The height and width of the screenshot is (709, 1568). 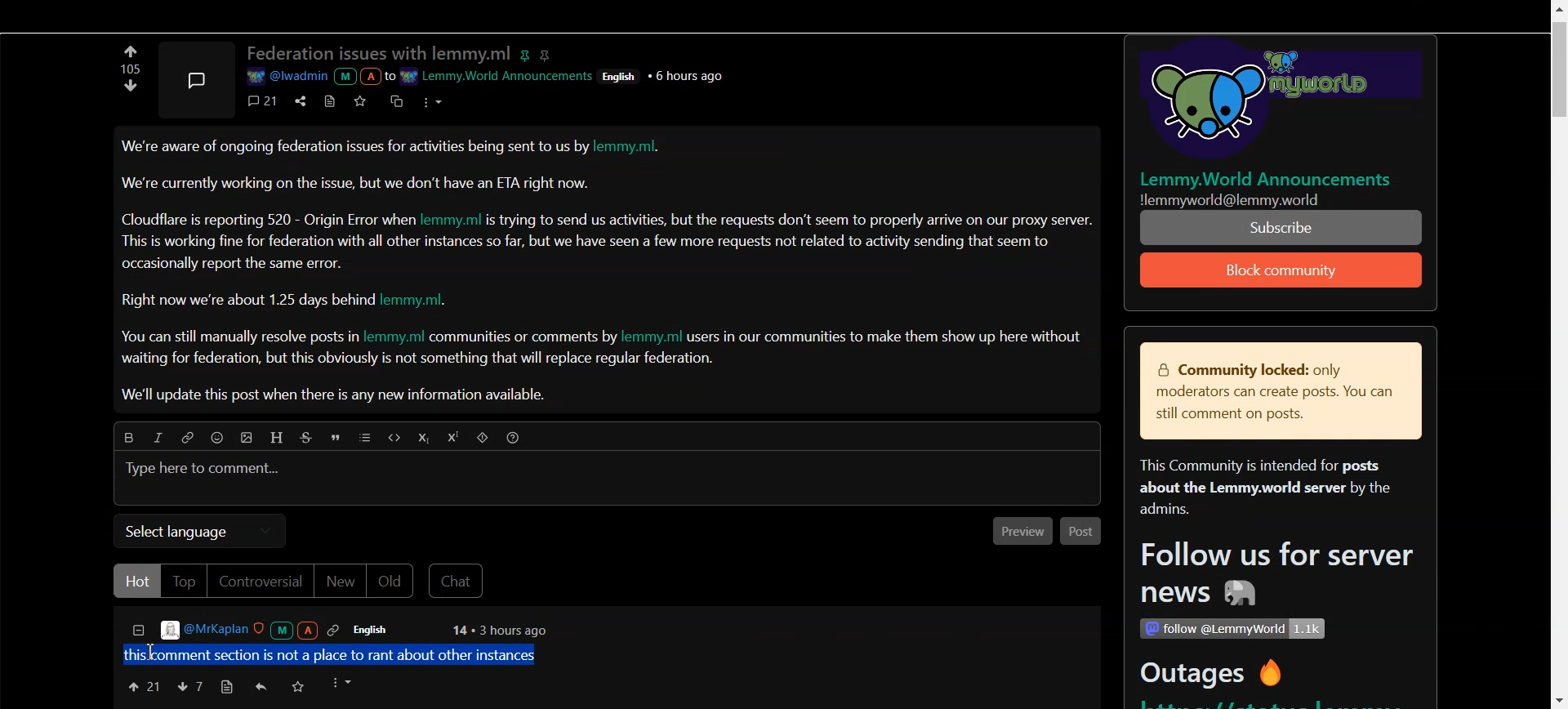 What do you see at coordinates (183, 581) in the screenshot?
I see `Top` at bounding box center [183, 581].